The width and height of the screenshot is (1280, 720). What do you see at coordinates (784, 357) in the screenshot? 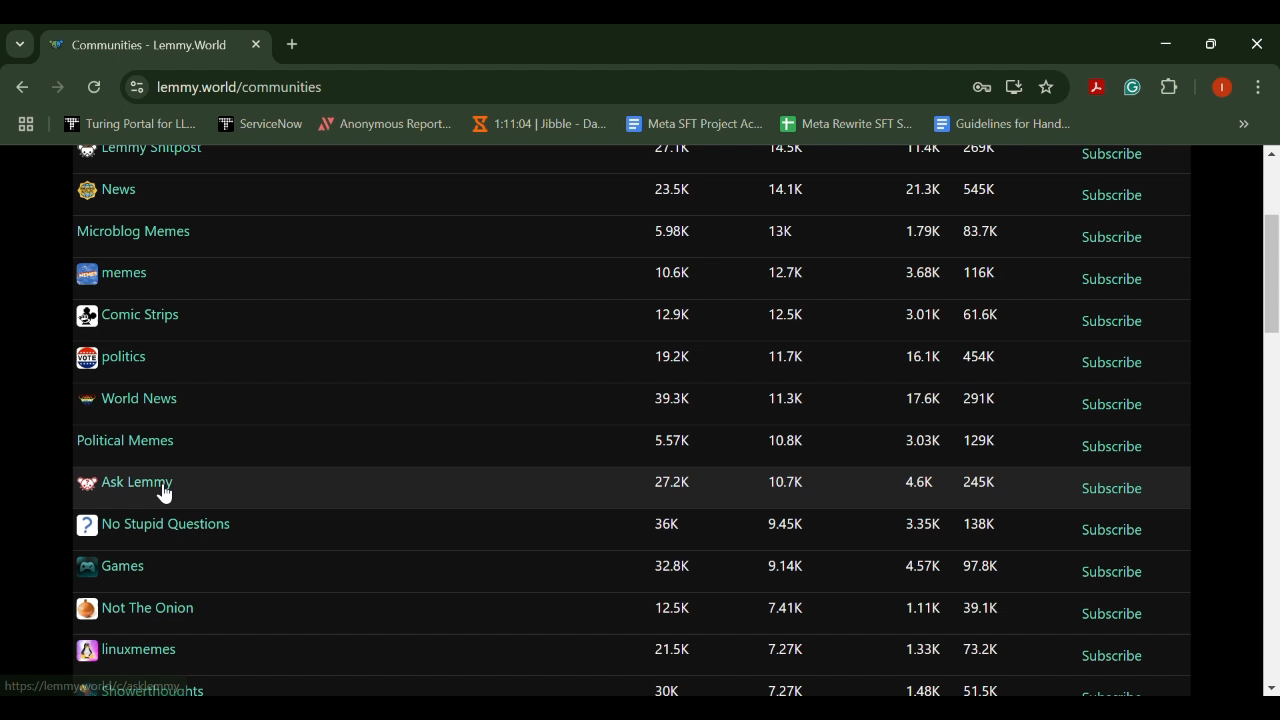
I see `11.7K` at bounding box center [784, 357].